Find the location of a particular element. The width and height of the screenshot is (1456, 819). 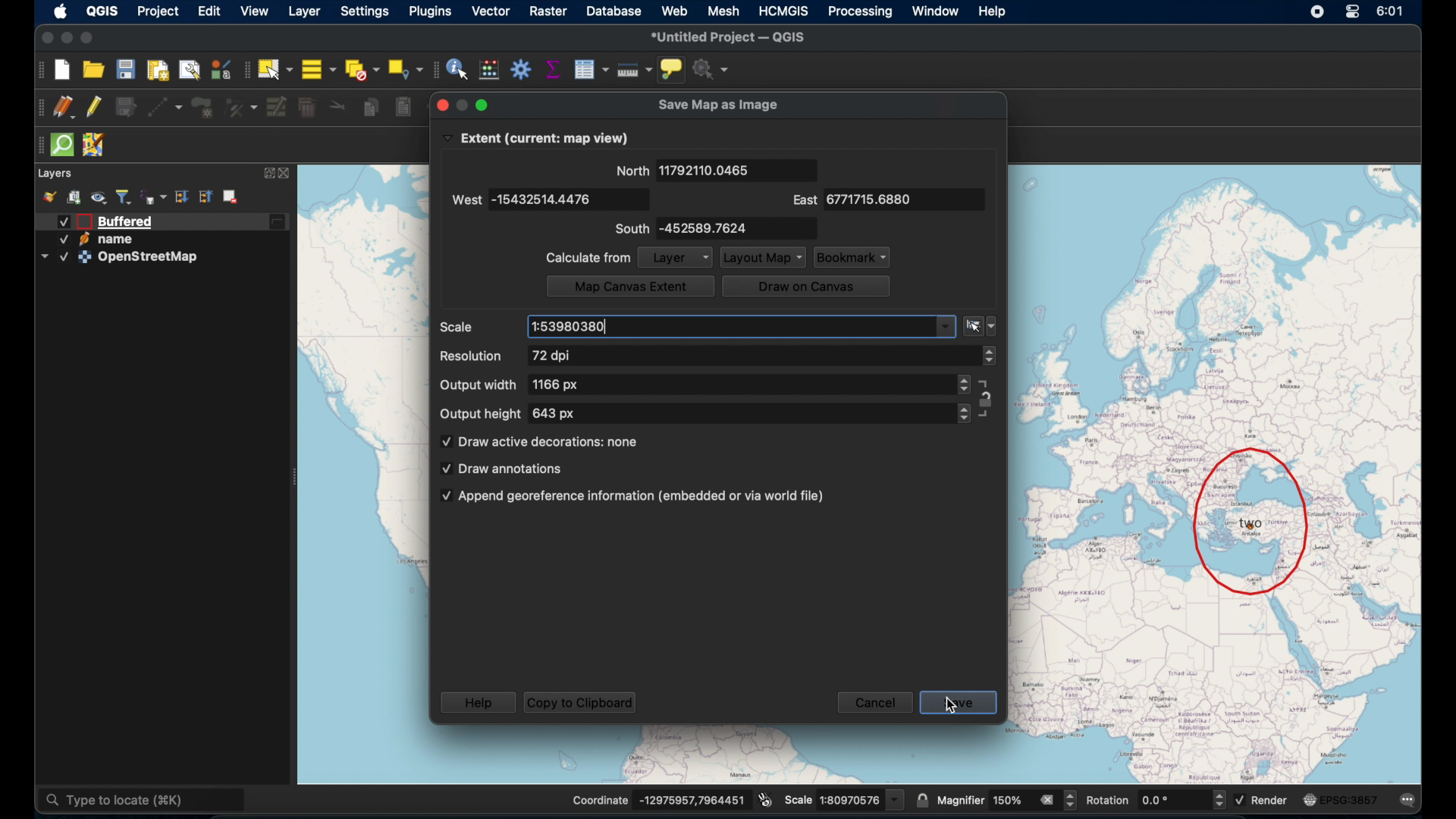

control center is located at coordinates (1353, 11).